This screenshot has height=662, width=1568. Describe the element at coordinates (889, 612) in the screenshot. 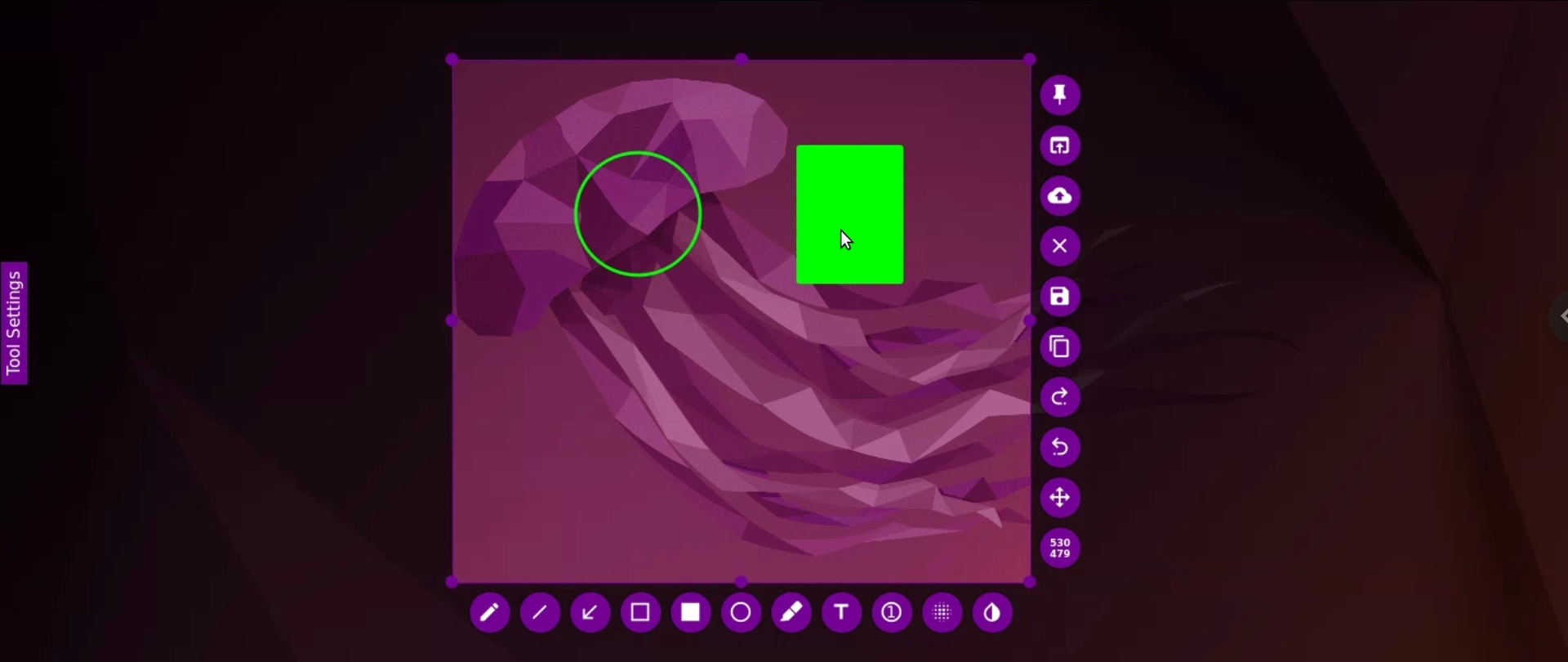

I see `auto incrementing counter bubble` at that location.